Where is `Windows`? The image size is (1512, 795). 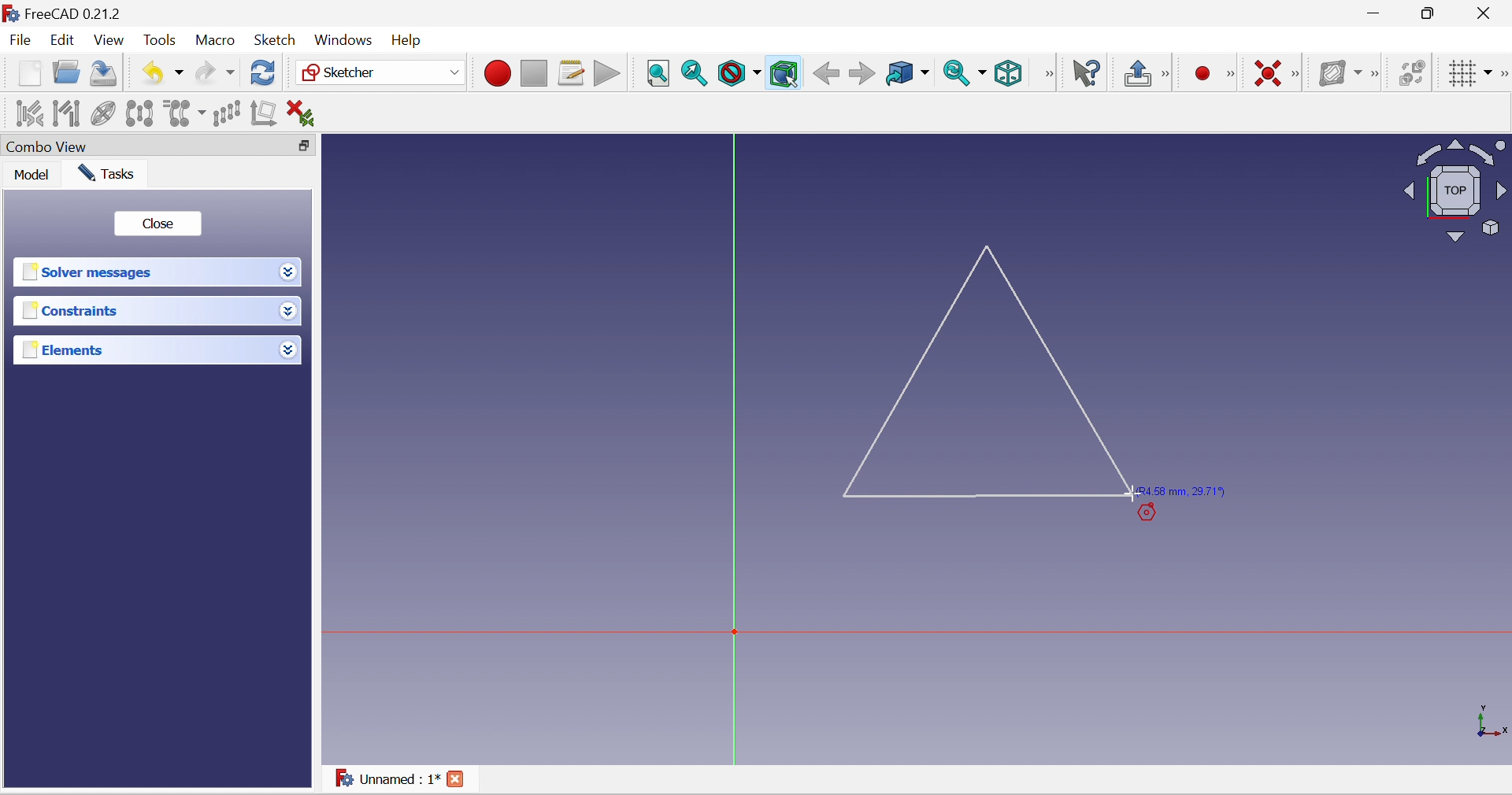 Windows is located at coordinates (344, 39).